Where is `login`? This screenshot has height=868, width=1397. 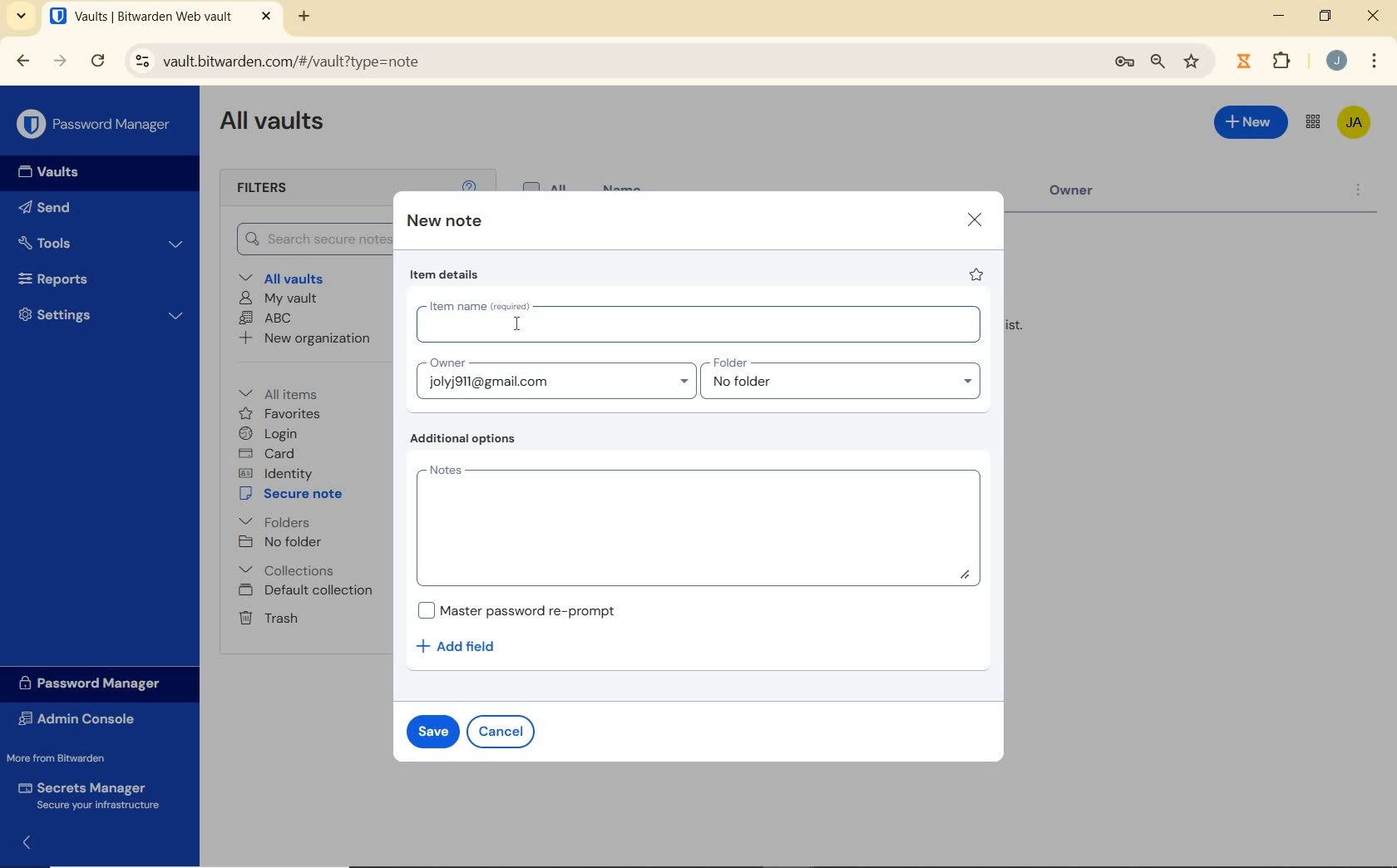 login is located at coordinates (271, 433).